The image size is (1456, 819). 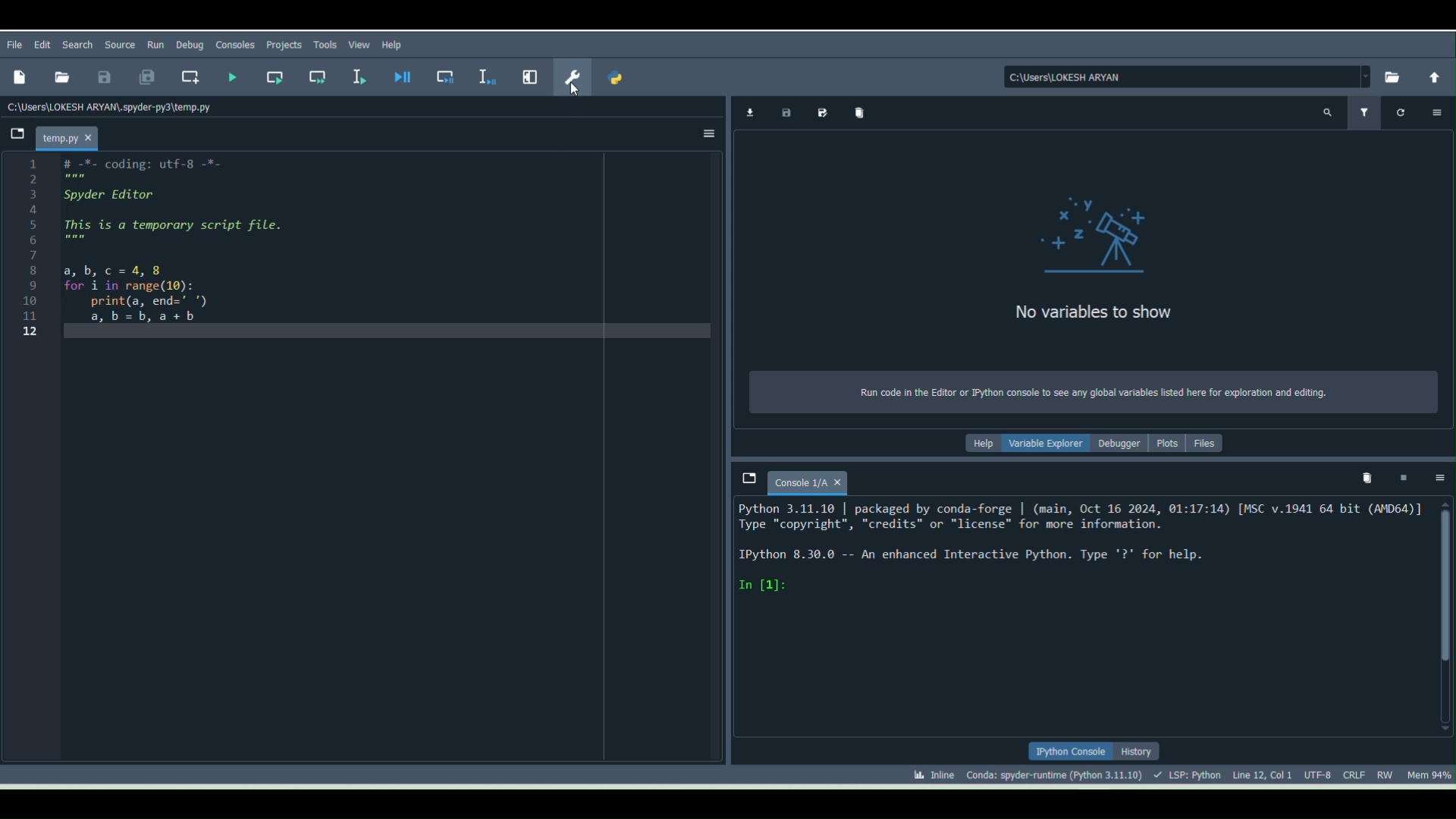 I want to click on Files, so click(x=1207, y=441).